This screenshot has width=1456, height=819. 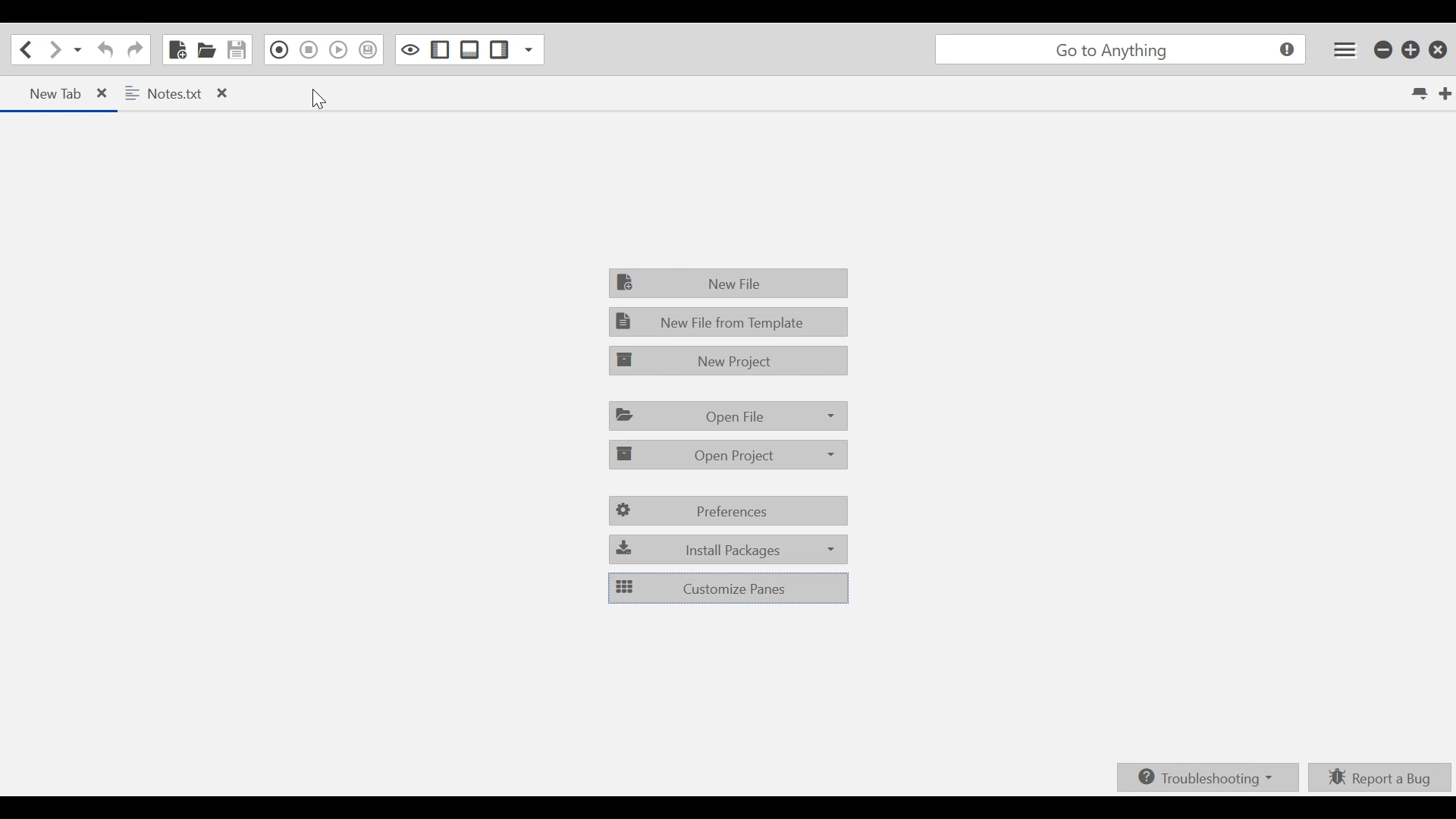 What do you see at coordinates (1437, 49) in the screenshot?
I see `Close` at bounding box center [1437, 49].